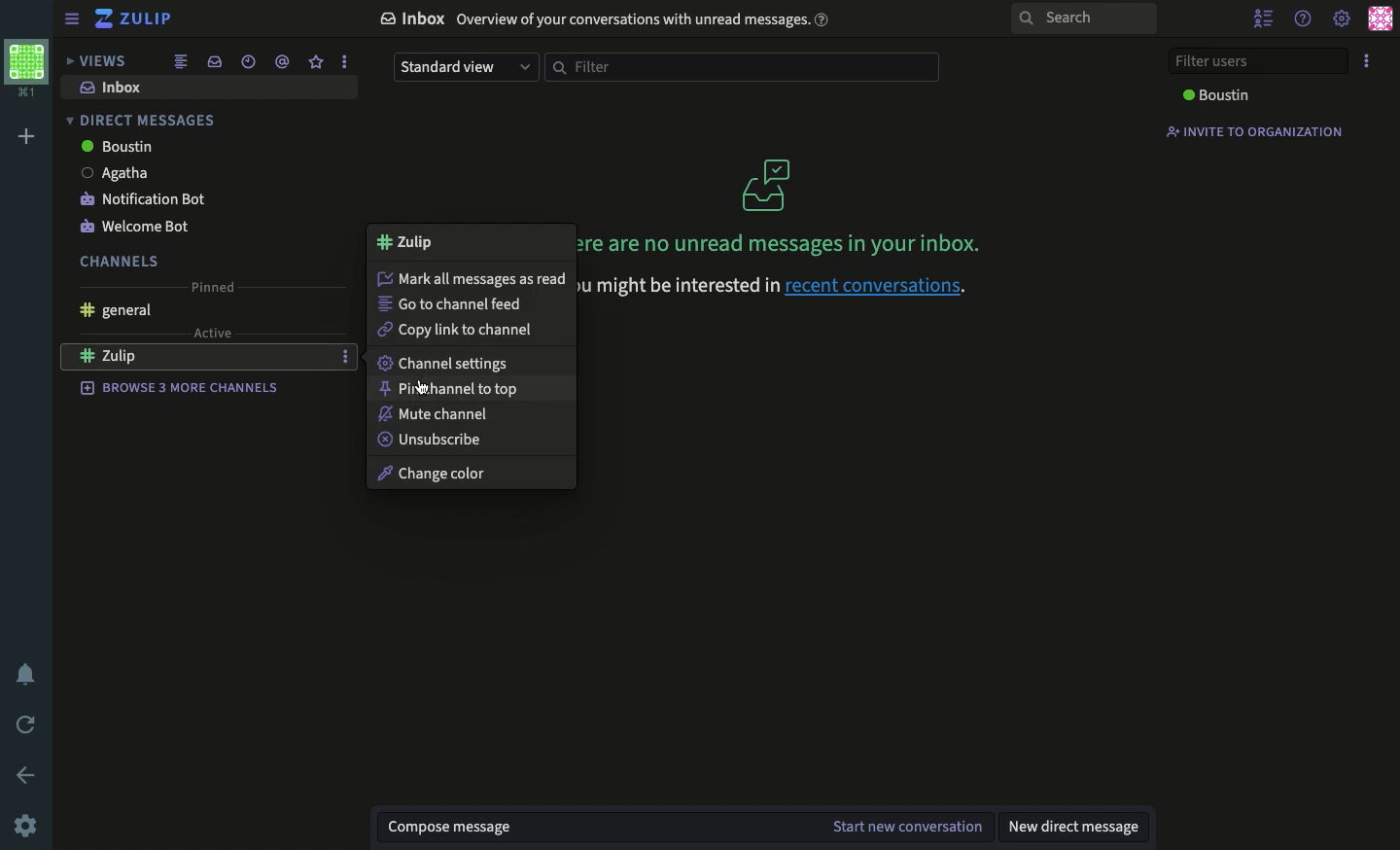 The height and width of the screenshot is (850, 1400). What do you see at coordinates (133, 229) in the screenshot?
I see `welcome bot` at bounding box center [133, 229].